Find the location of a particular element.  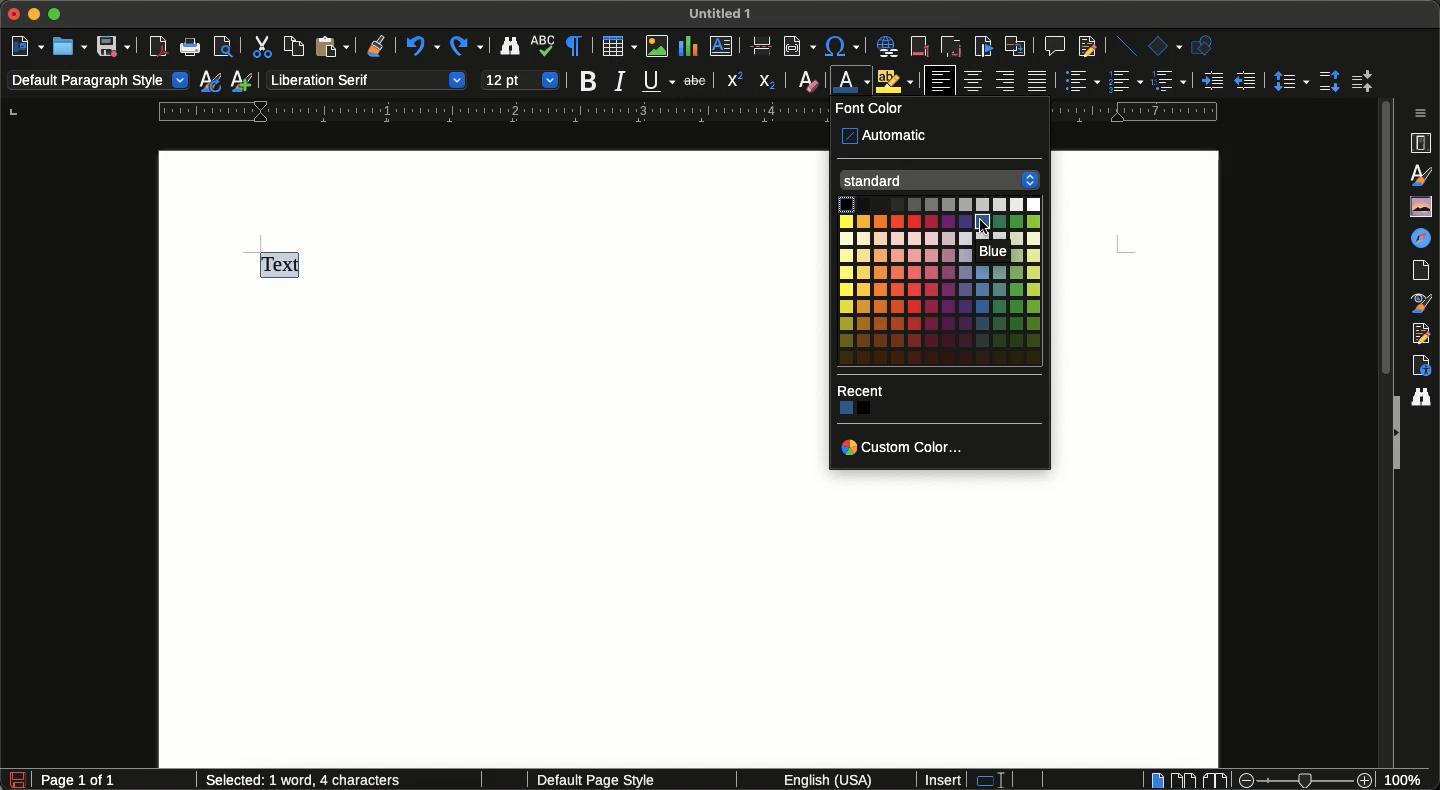

Toggle print preview is located at coordinates (224, 49).